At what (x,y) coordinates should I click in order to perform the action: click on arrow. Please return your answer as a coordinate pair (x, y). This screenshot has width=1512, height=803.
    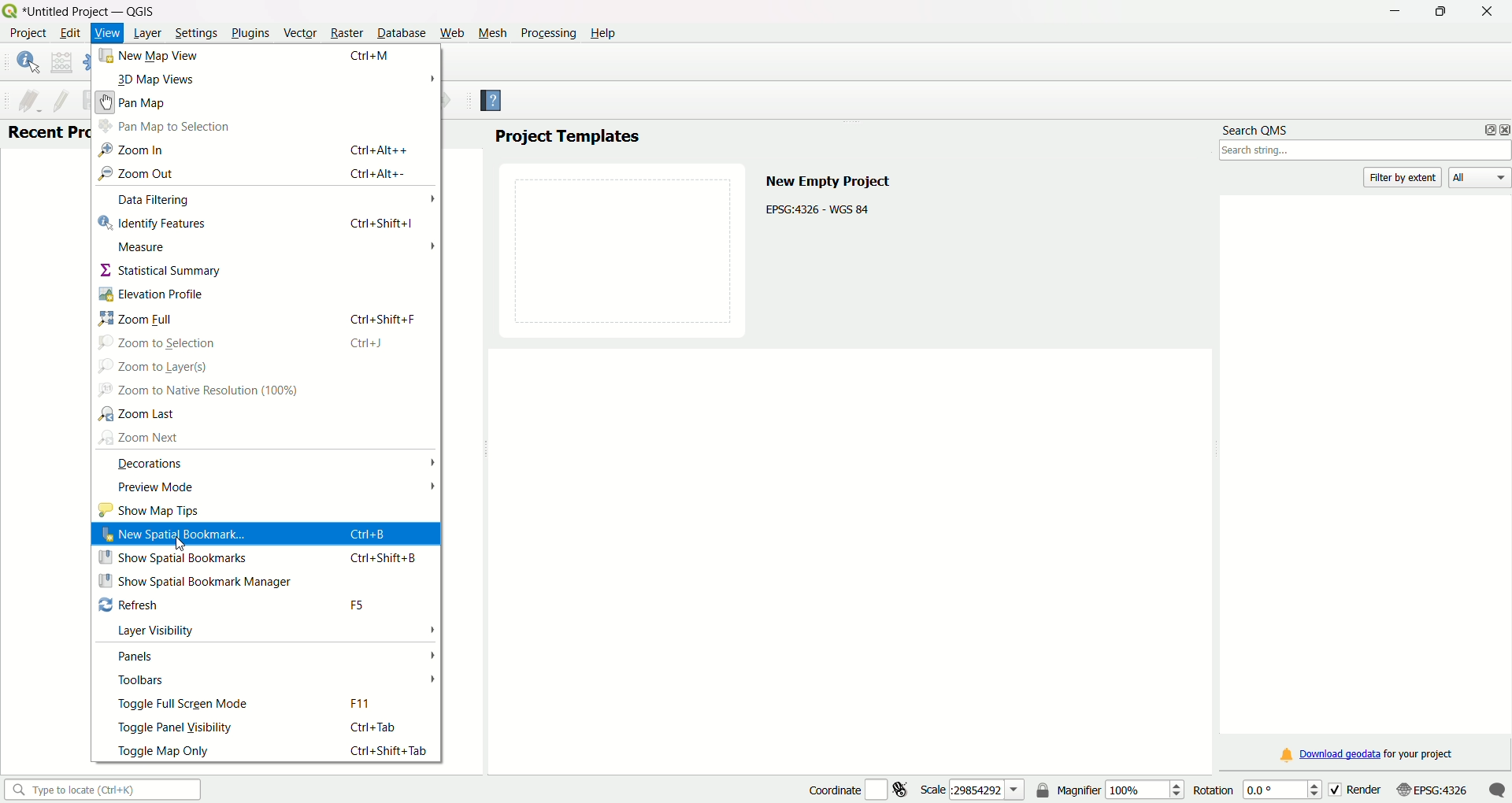
    Looking at the image, I should click on (432, 485).